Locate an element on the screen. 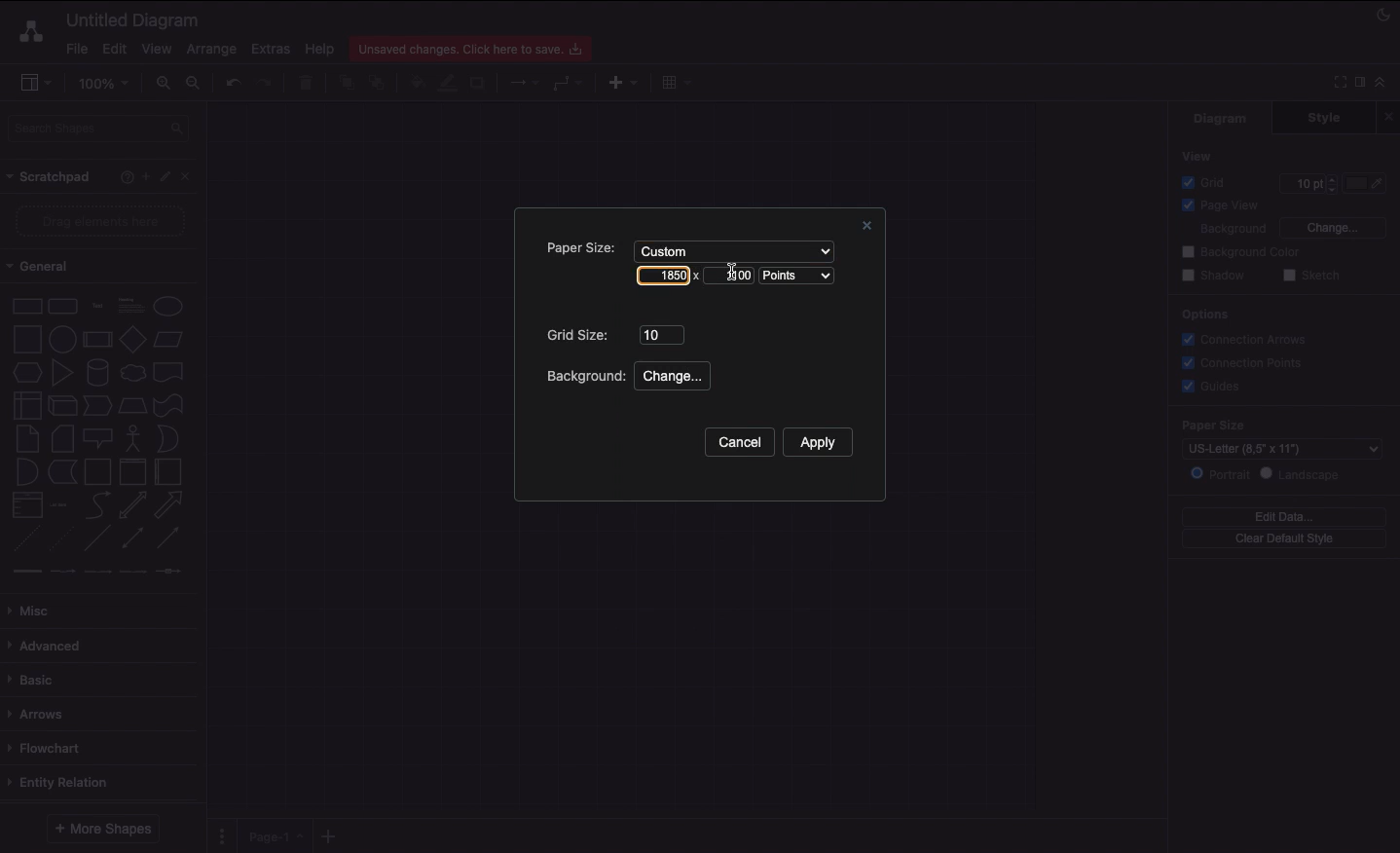 Image resolution: width=1400 pixels, height=853 pixels. Line color is located at coordinates (447, 81).